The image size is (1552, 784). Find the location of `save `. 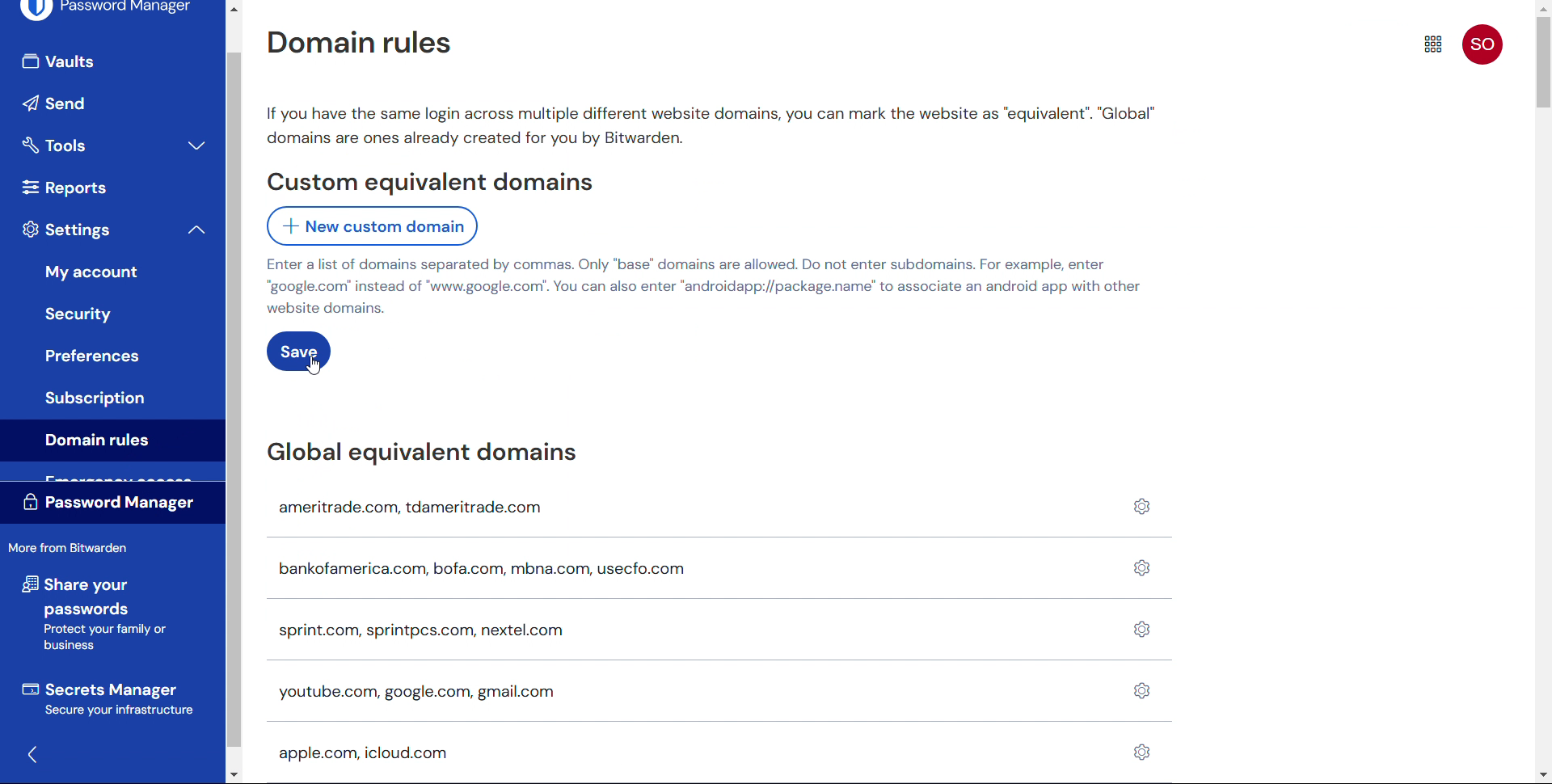

save  is located at coordinates (298, 352).